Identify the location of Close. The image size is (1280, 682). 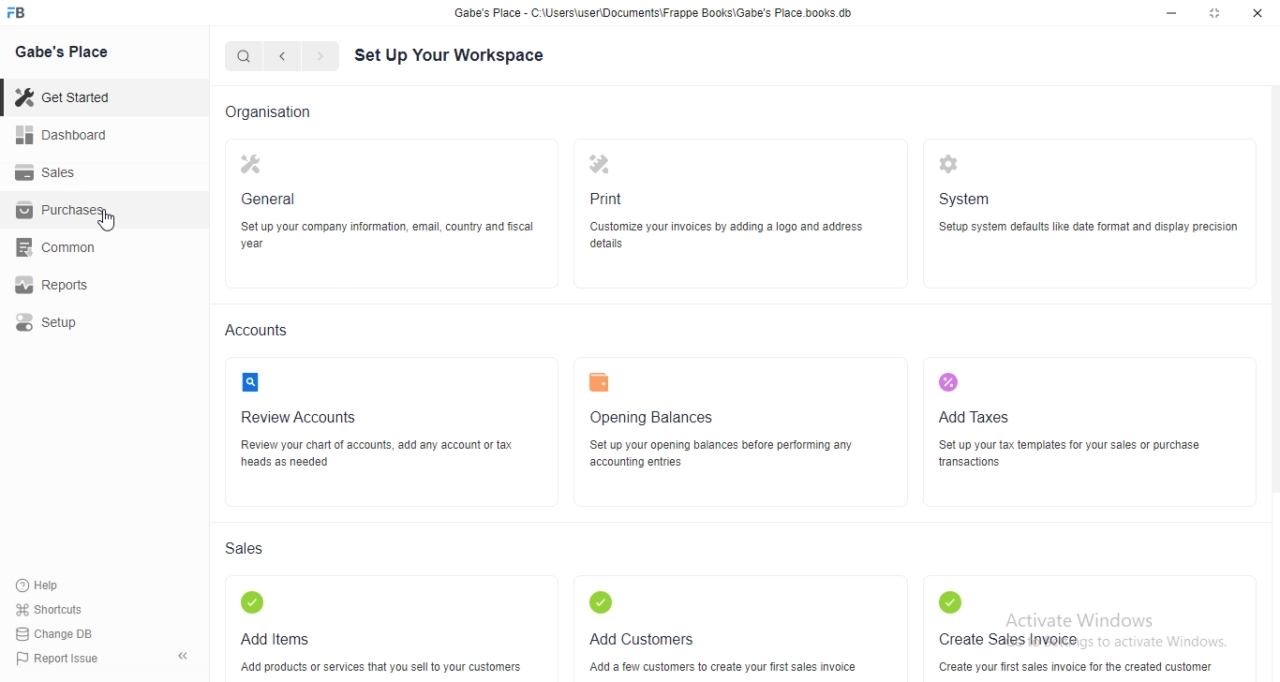
(1258, 13).